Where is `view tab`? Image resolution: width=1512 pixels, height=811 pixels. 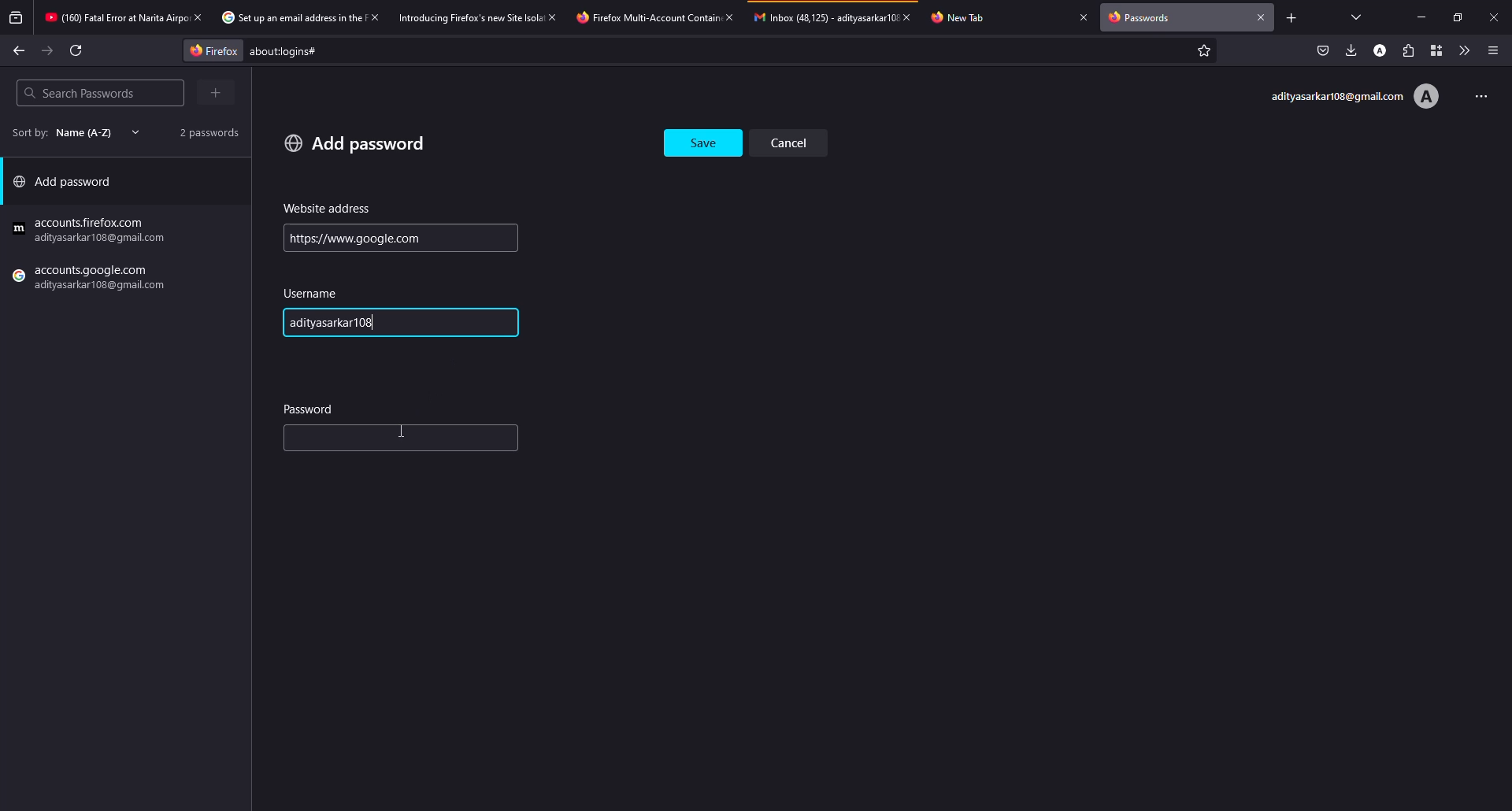
view tab is located at coordinates (1357, 17).